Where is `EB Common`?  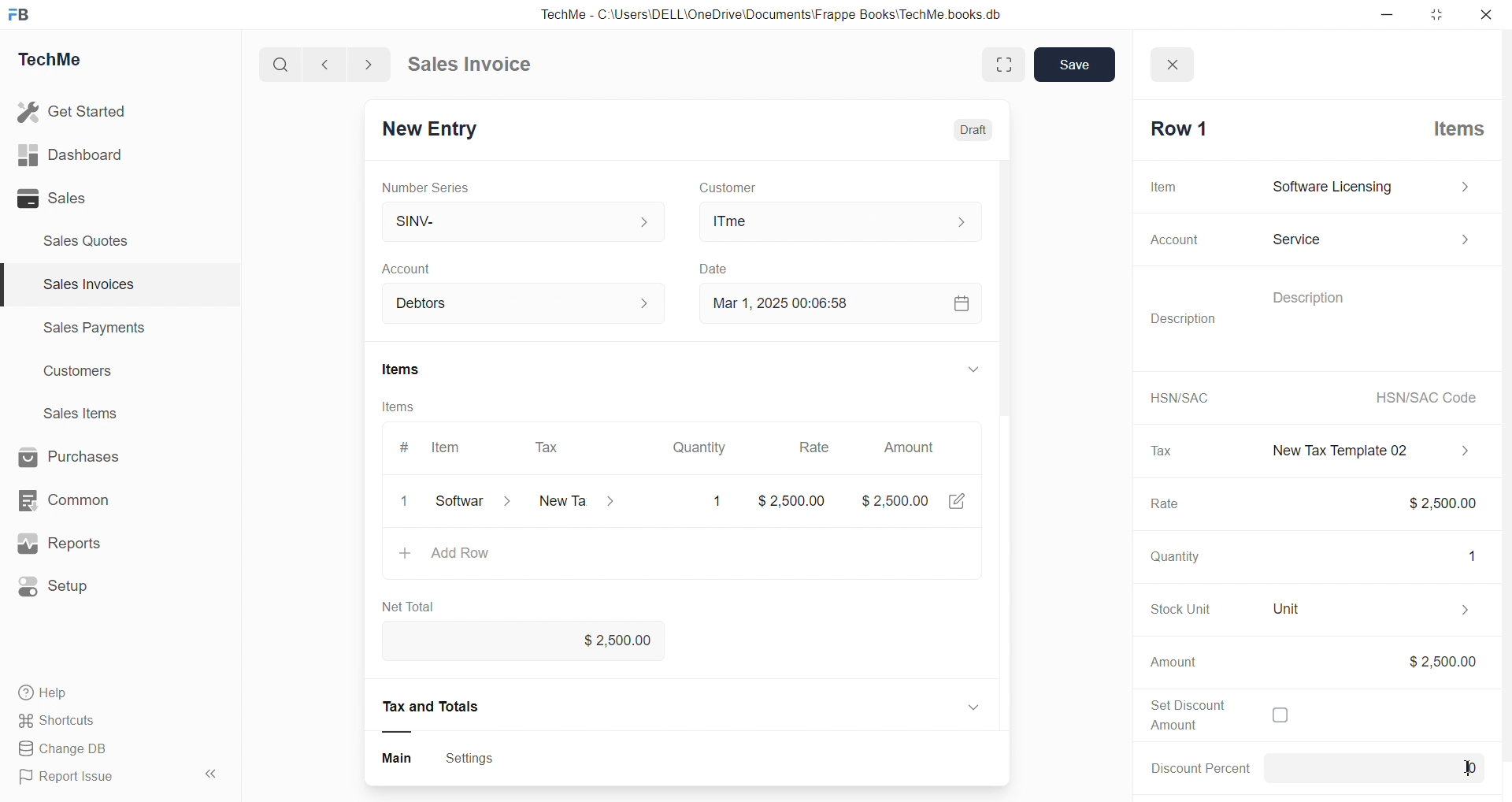 EB Common is located at coordinates (80, 499).